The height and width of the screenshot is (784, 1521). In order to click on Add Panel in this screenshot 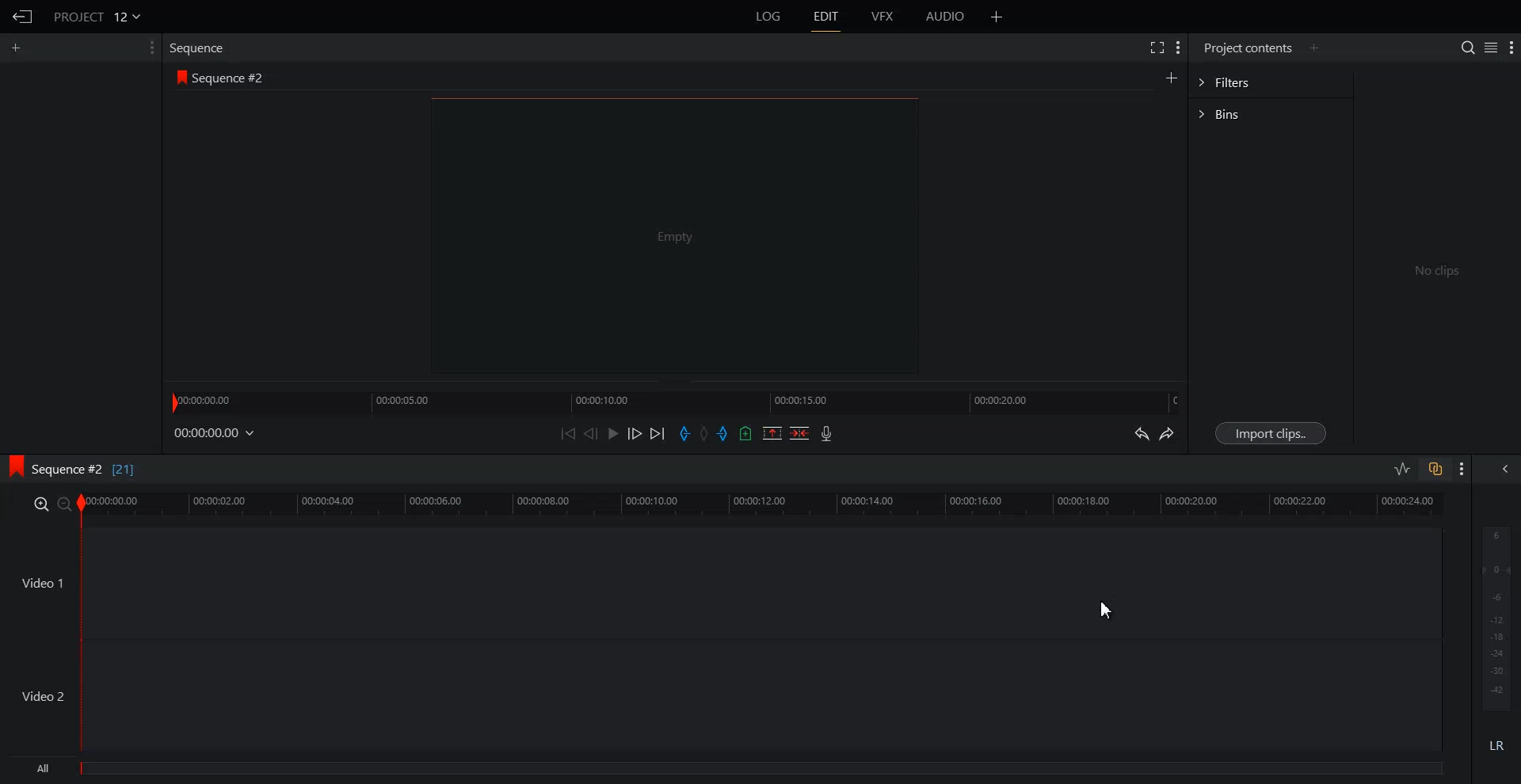, I will do `click(1316, 48)`.